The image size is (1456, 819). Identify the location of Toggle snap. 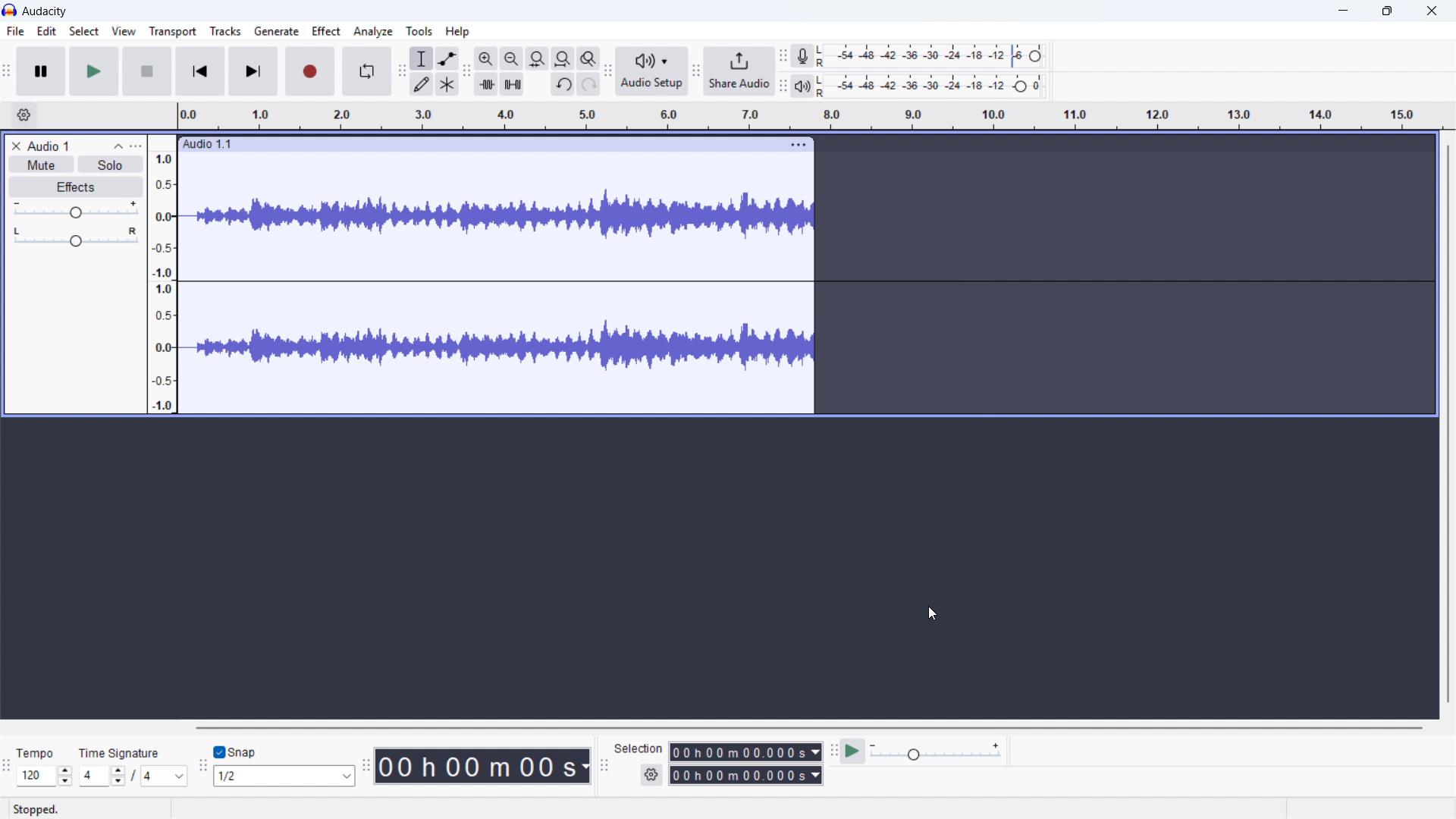
(235, 752).